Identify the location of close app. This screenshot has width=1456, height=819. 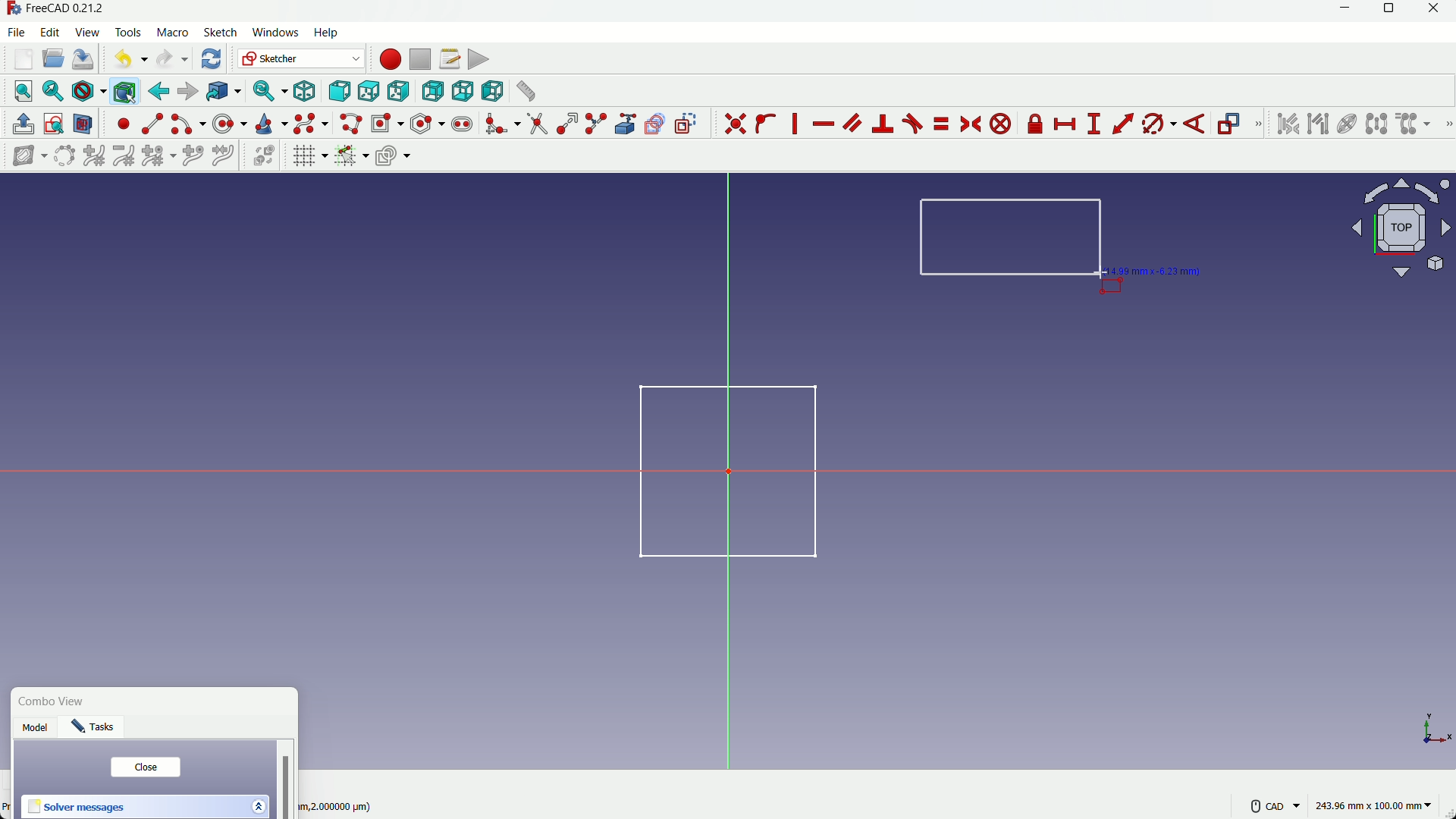
(1439, 11).